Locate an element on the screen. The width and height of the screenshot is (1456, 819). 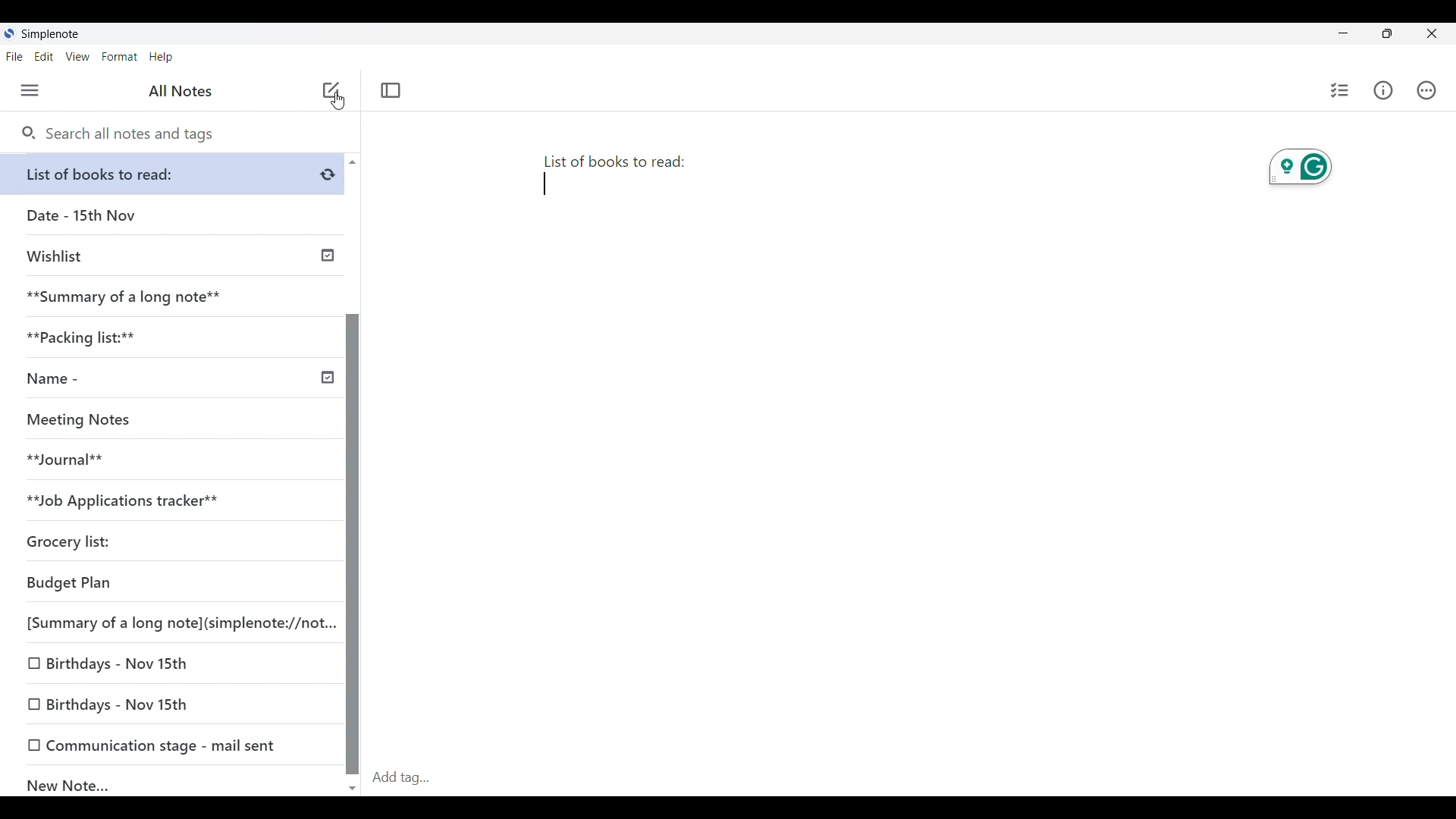
[Summary of a long note](simplenote://not... is located at coordinates (177, 623).